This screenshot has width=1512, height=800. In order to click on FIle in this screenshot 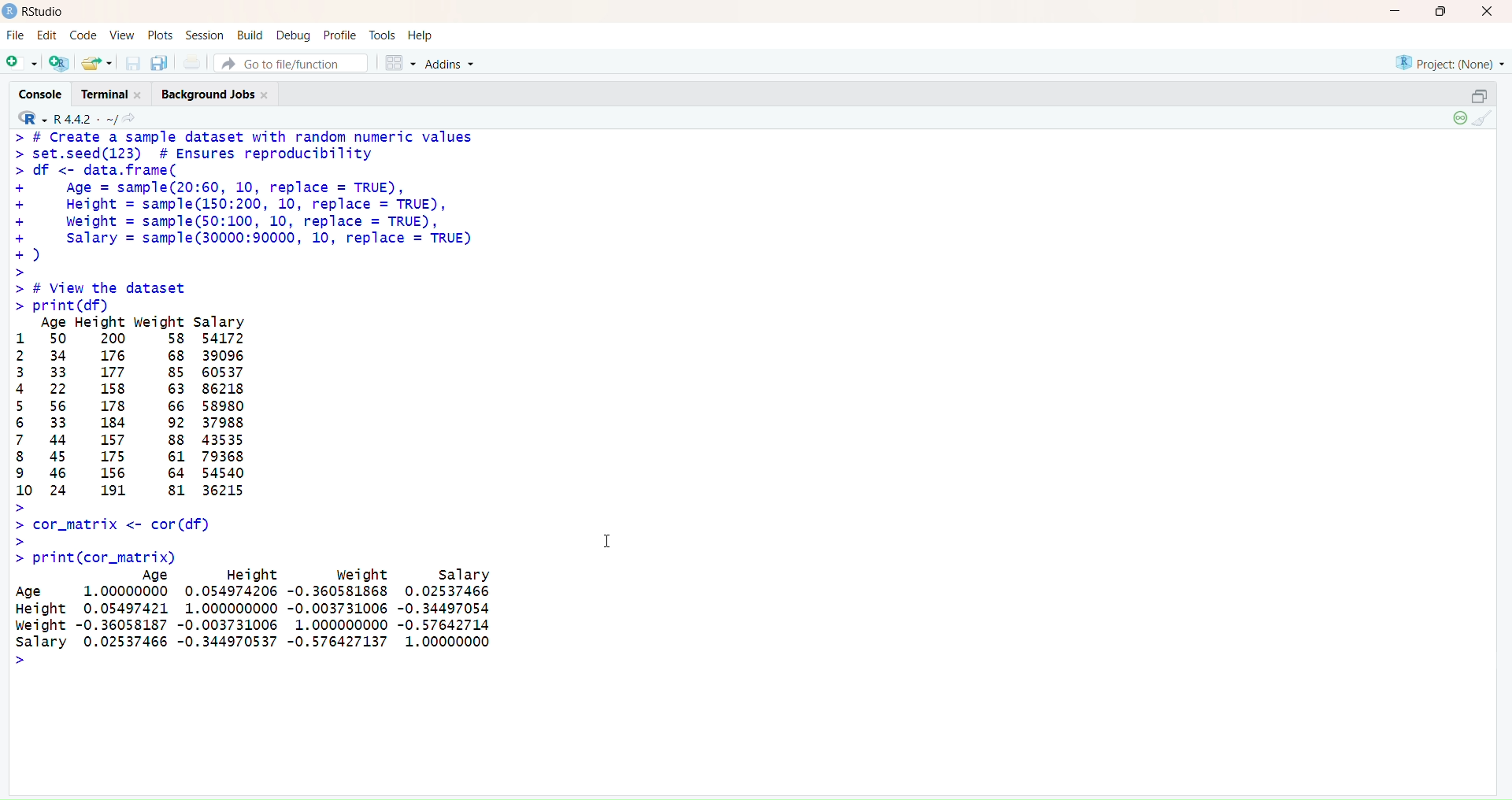, I will do `click(16, 35)`.